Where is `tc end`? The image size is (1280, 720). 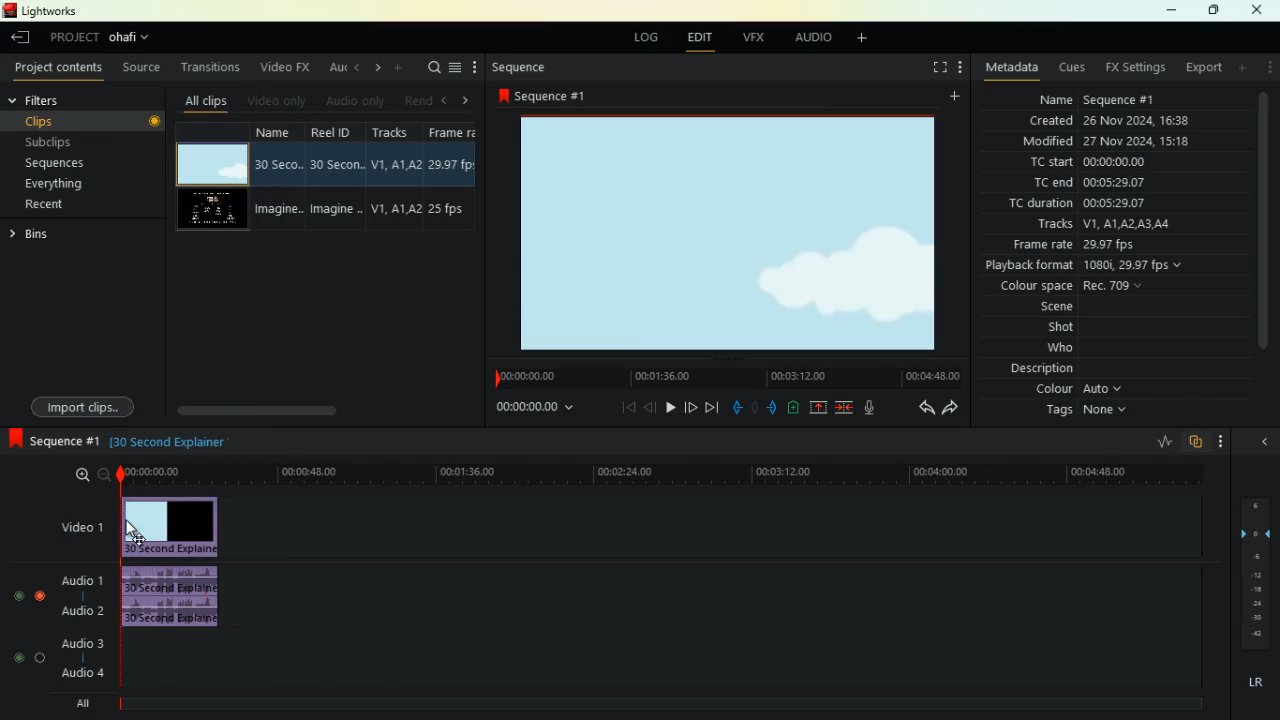 tc end is located at coordinates (1093, 184).